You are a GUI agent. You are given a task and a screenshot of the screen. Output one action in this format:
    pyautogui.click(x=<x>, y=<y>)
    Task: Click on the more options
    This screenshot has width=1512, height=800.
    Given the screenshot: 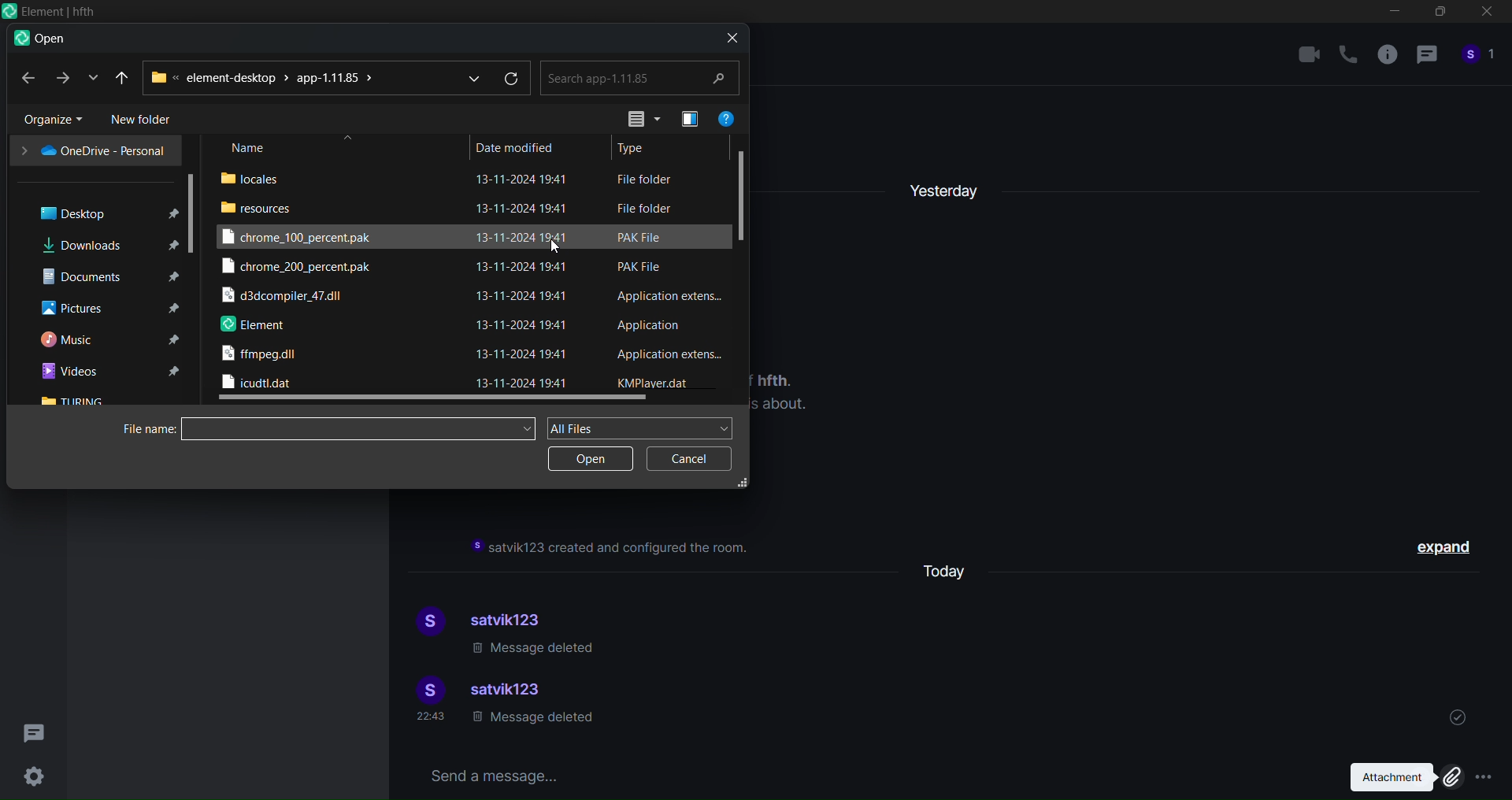 What is the action you would take?
    pyautogui.click(x=1485, y=779)
    